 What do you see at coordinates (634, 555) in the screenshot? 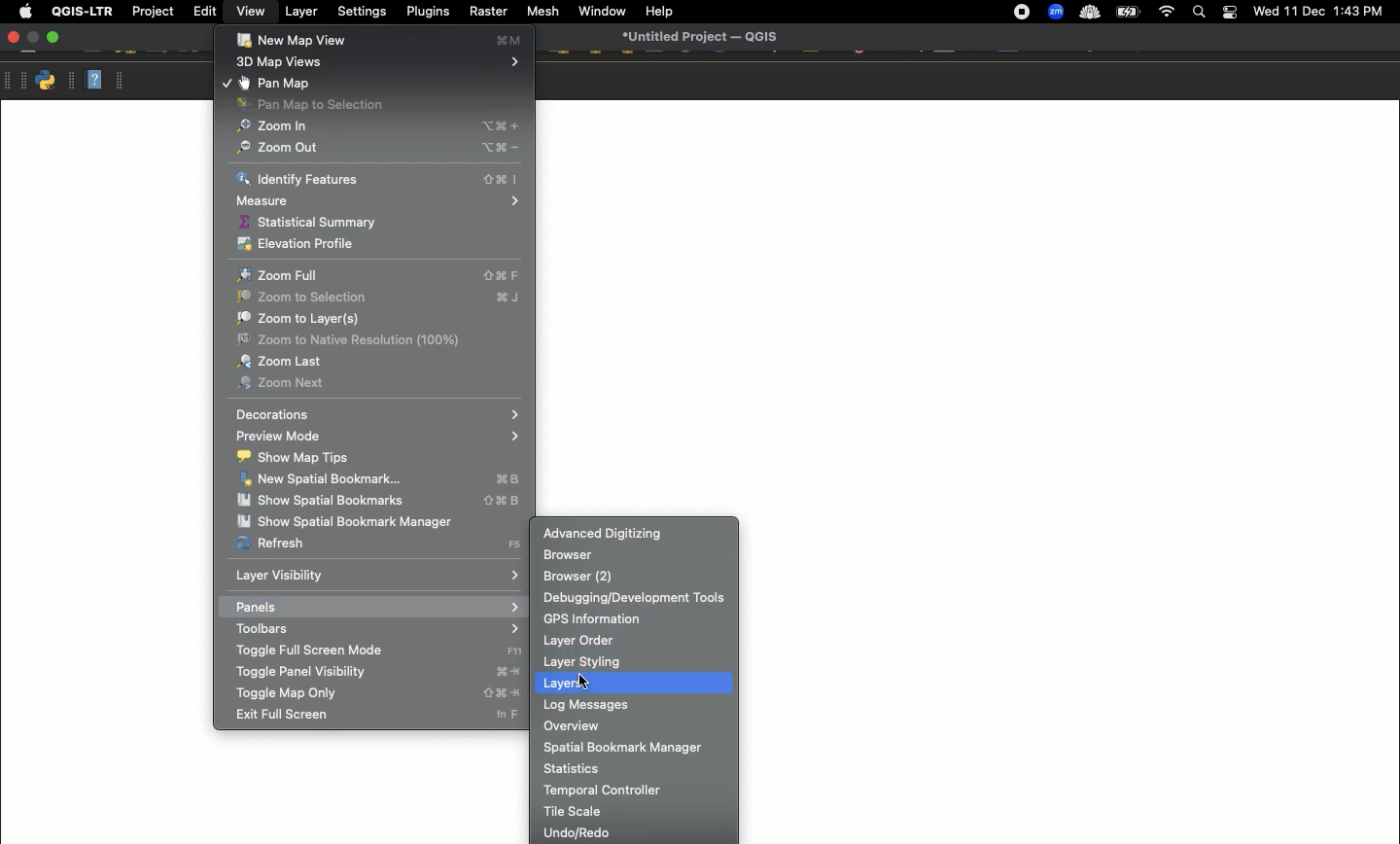
I see `Browser` at bounding box center [634, 555].